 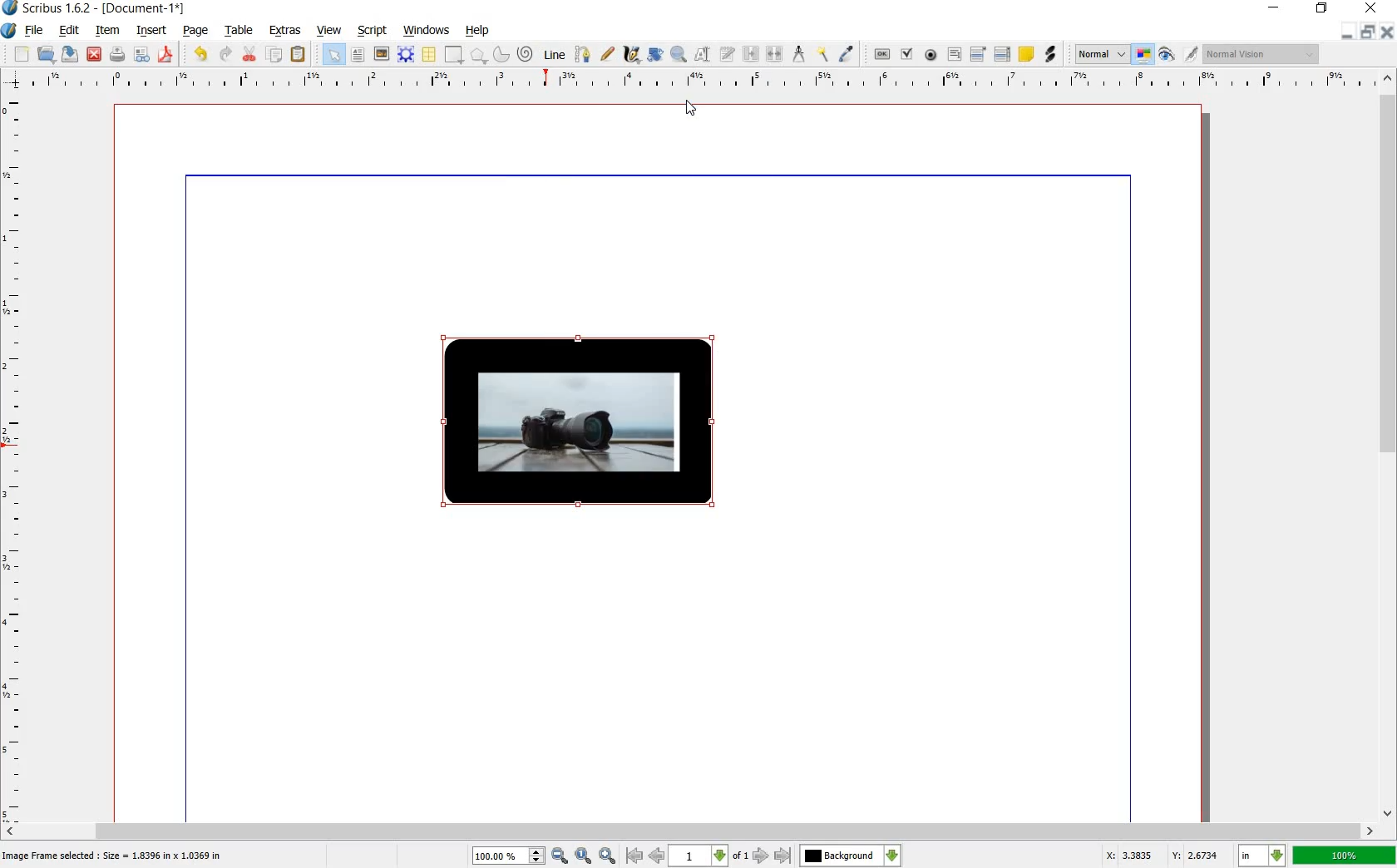 What do you see at coordinates (8, 31) in the screenshot?
I see `system logo` at bounding box center [8, 31].